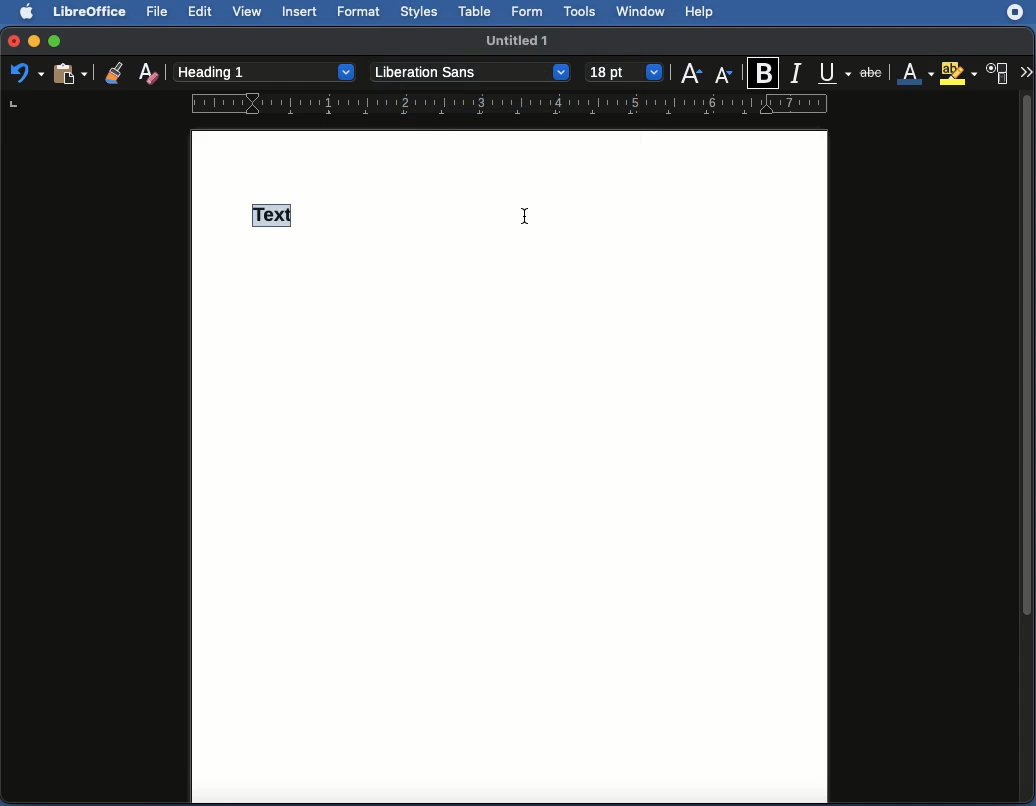 The width and height of the screenshot is (1036, 806). I want to click on Maximize, so click(56, 39).